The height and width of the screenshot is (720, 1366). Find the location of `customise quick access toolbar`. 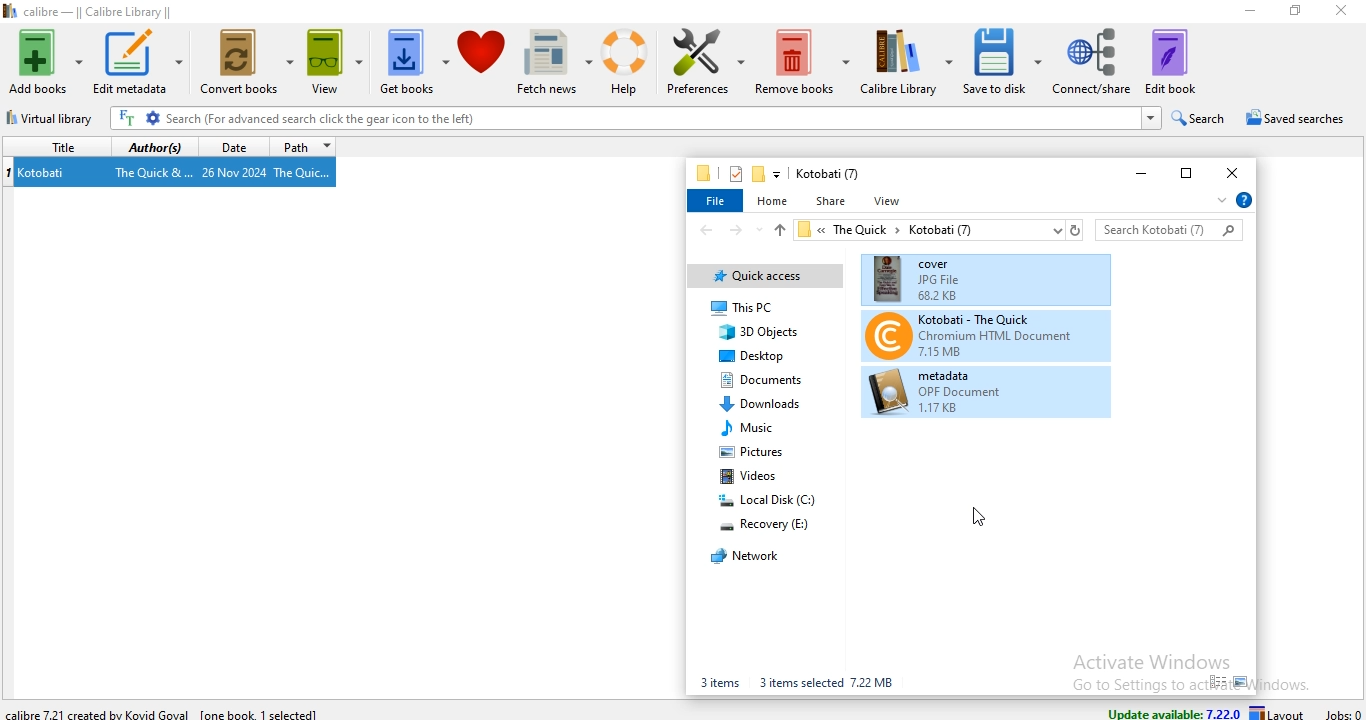

customise quick access toolbar is located at coordinates (778, 174).